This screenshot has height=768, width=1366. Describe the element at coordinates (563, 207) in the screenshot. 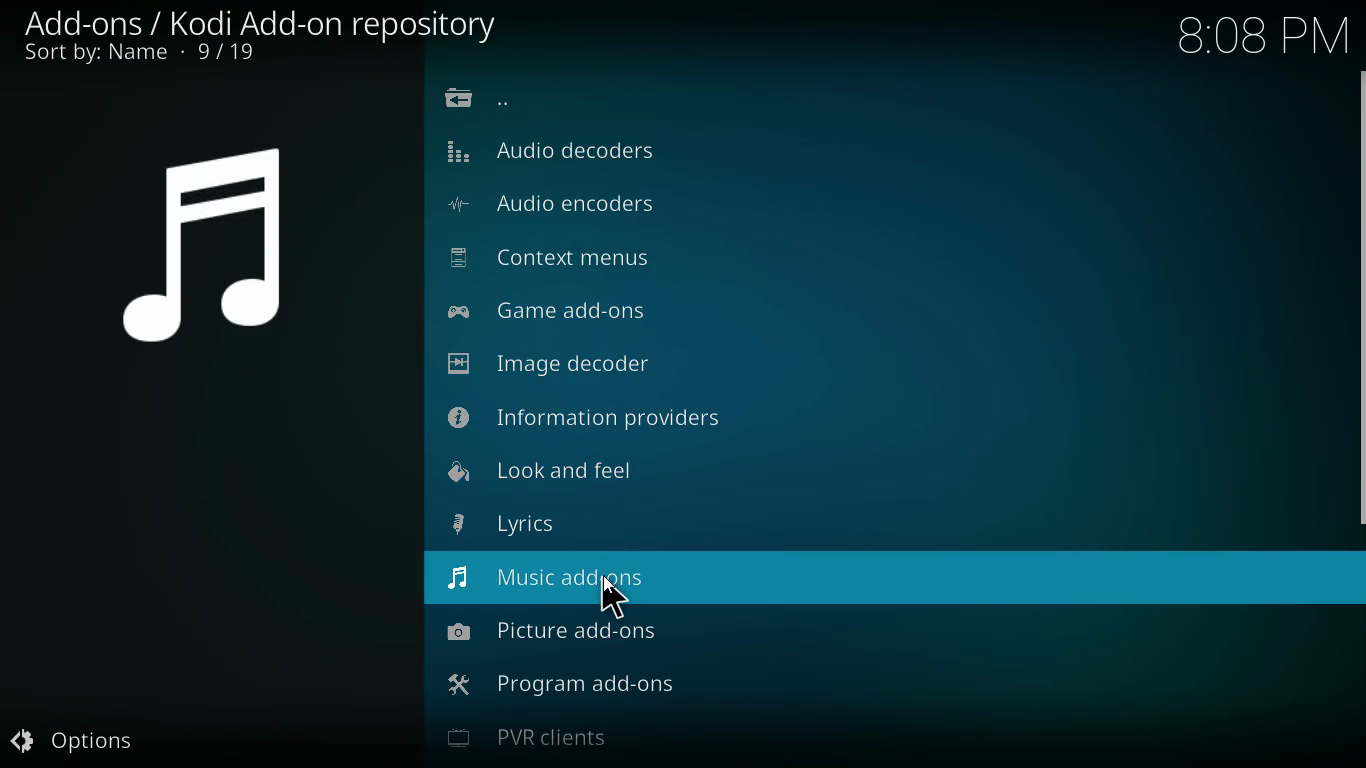

I see `Audio encoders` at that location.